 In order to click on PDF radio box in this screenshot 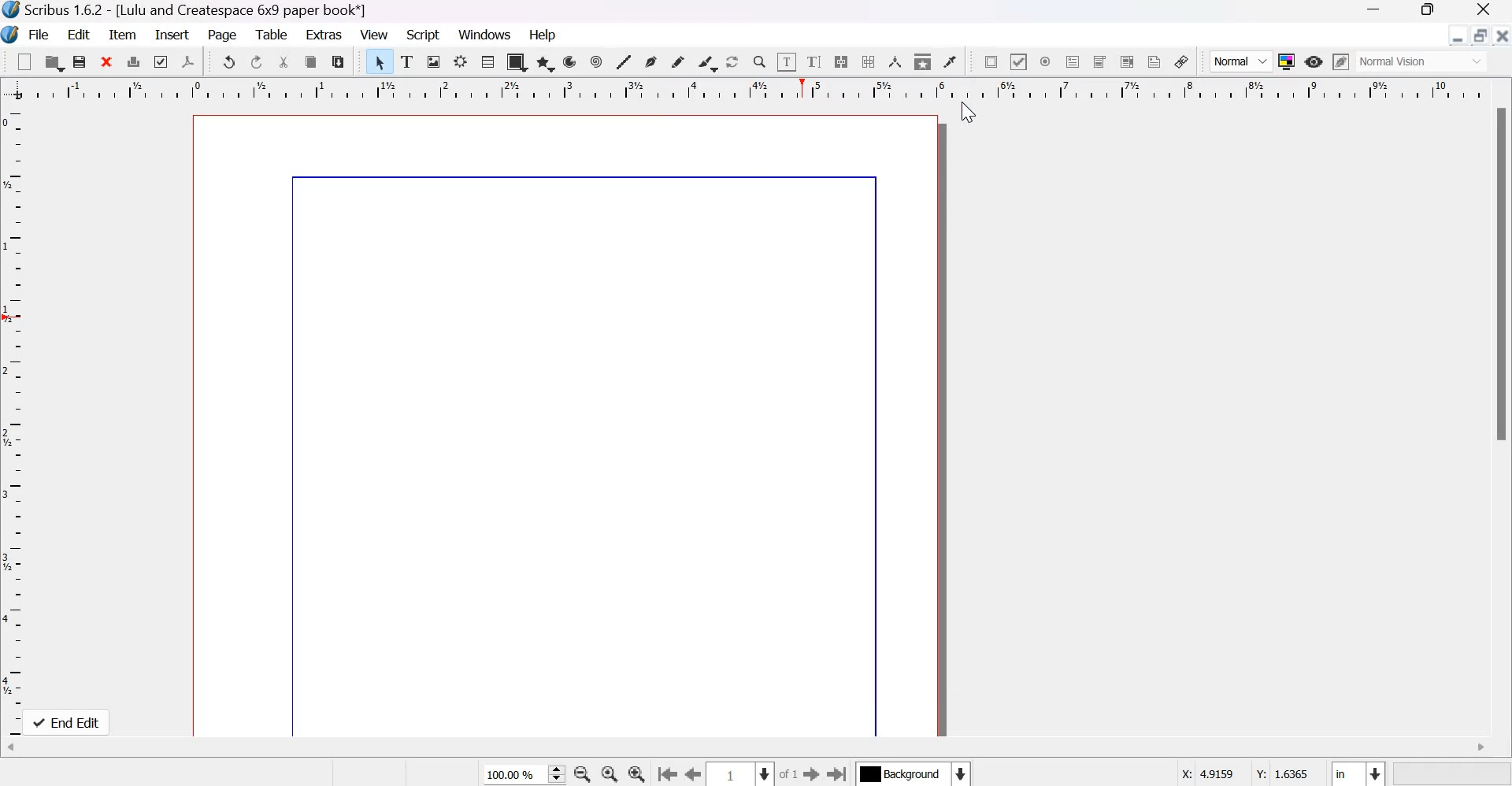, I will do `click(1046, 61)`.